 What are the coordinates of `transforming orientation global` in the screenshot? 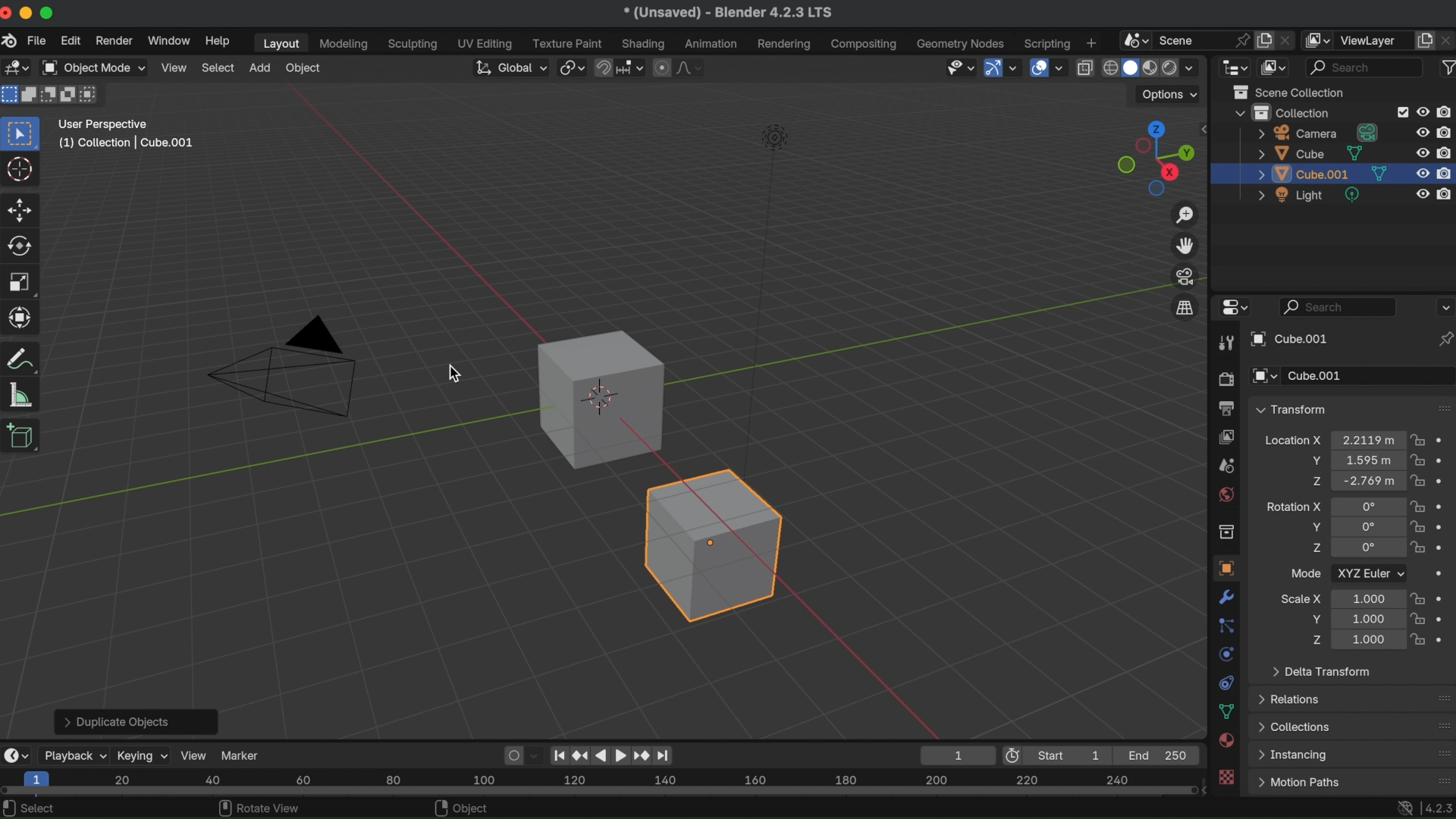 It's located at (509, 67).